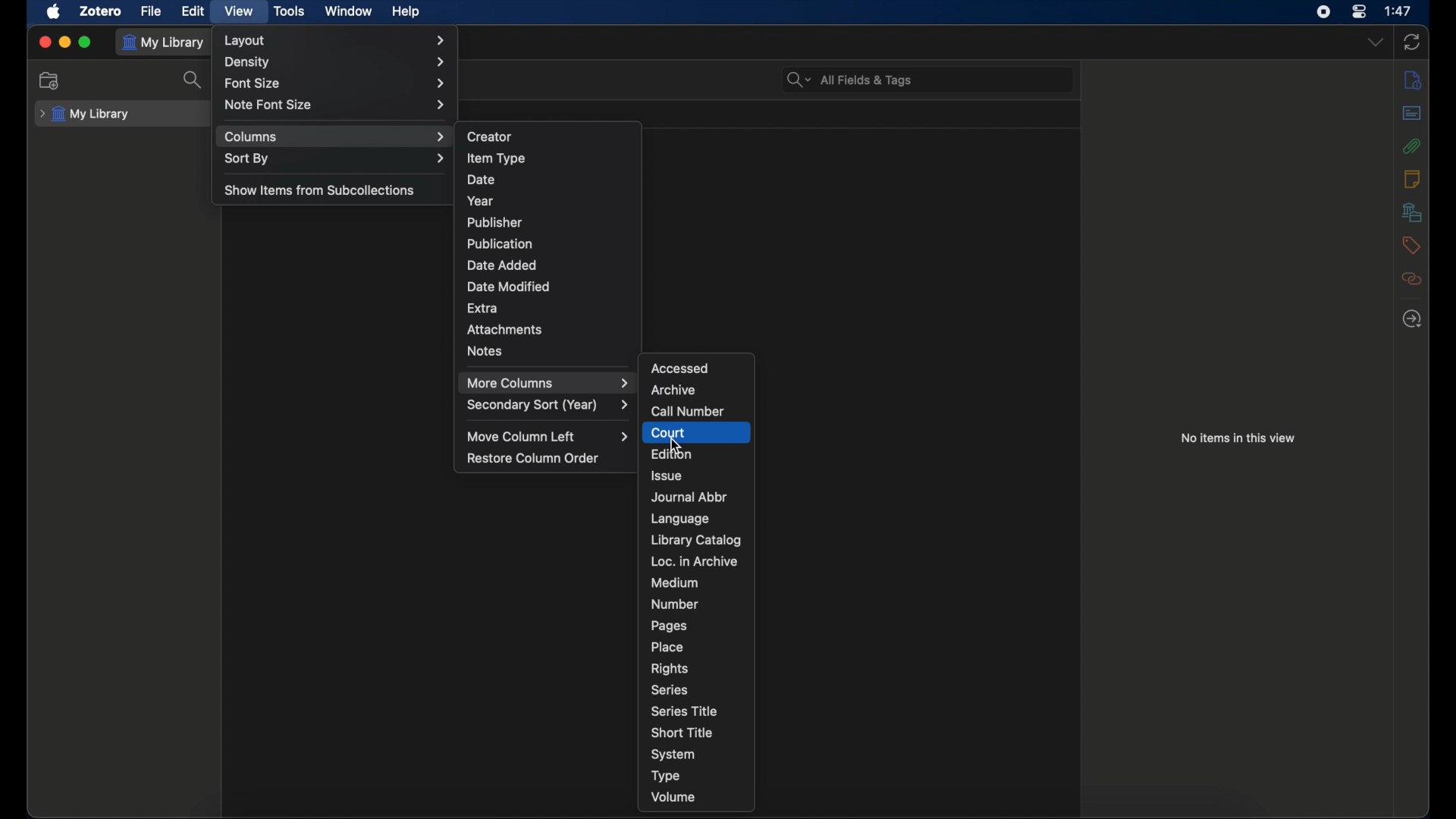 This screenshot has width=1456, height=819. Describe the element at coordinates (686, 711) in the screenshot. I see `series title` at that location.